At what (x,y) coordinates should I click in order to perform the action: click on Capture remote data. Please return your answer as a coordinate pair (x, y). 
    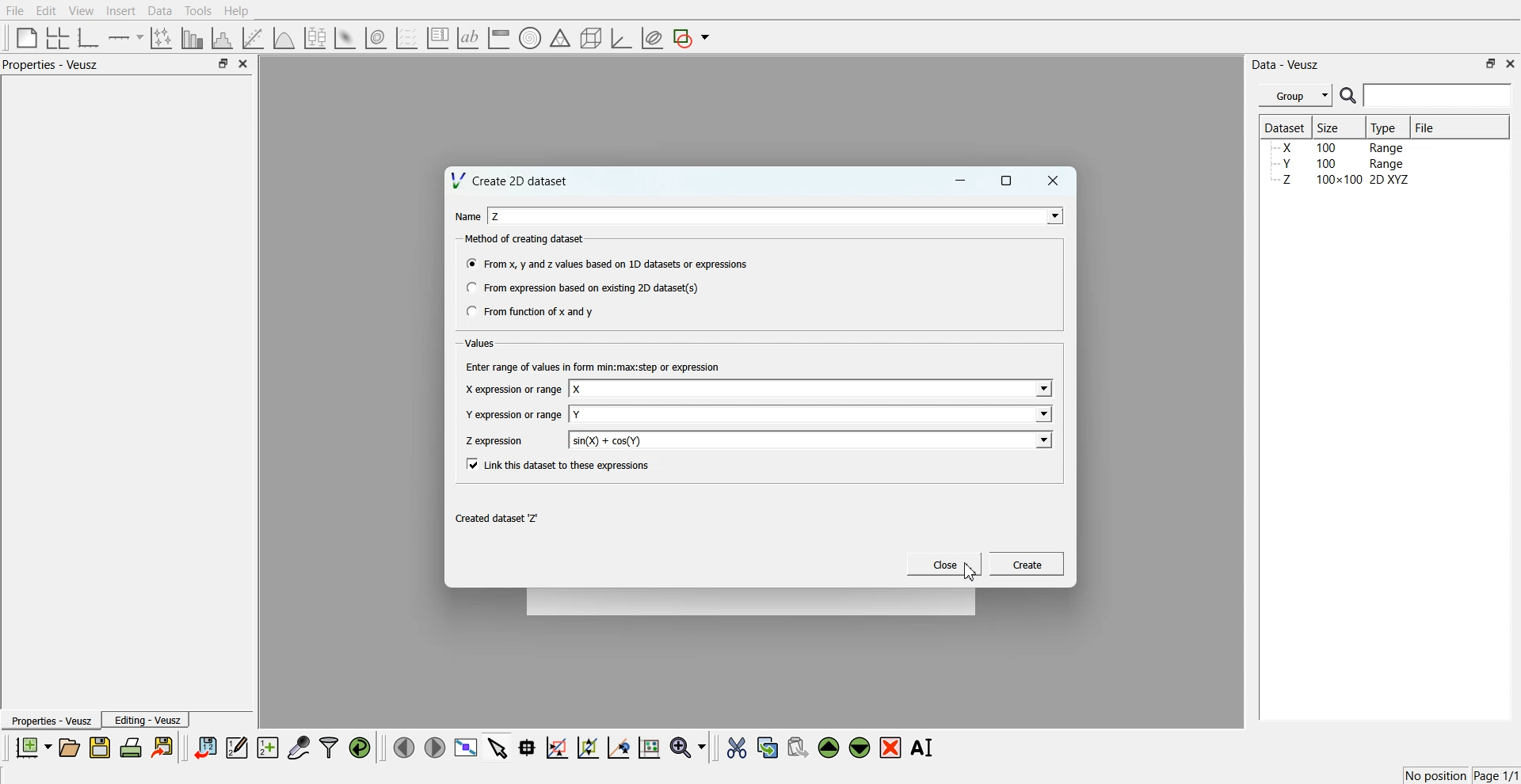
    Looking at the image, I should click on (299, 747).